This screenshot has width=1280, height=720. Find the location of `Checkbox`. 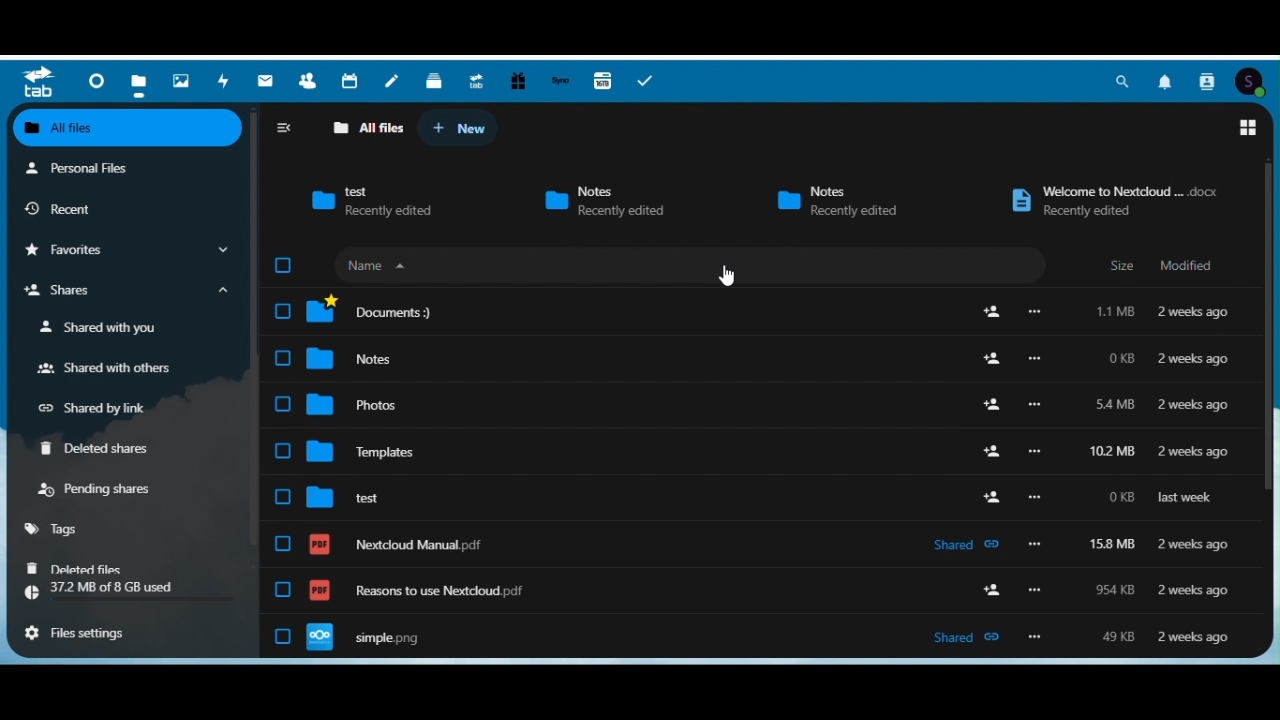

Checkbox is located at coordinates (283, 264).